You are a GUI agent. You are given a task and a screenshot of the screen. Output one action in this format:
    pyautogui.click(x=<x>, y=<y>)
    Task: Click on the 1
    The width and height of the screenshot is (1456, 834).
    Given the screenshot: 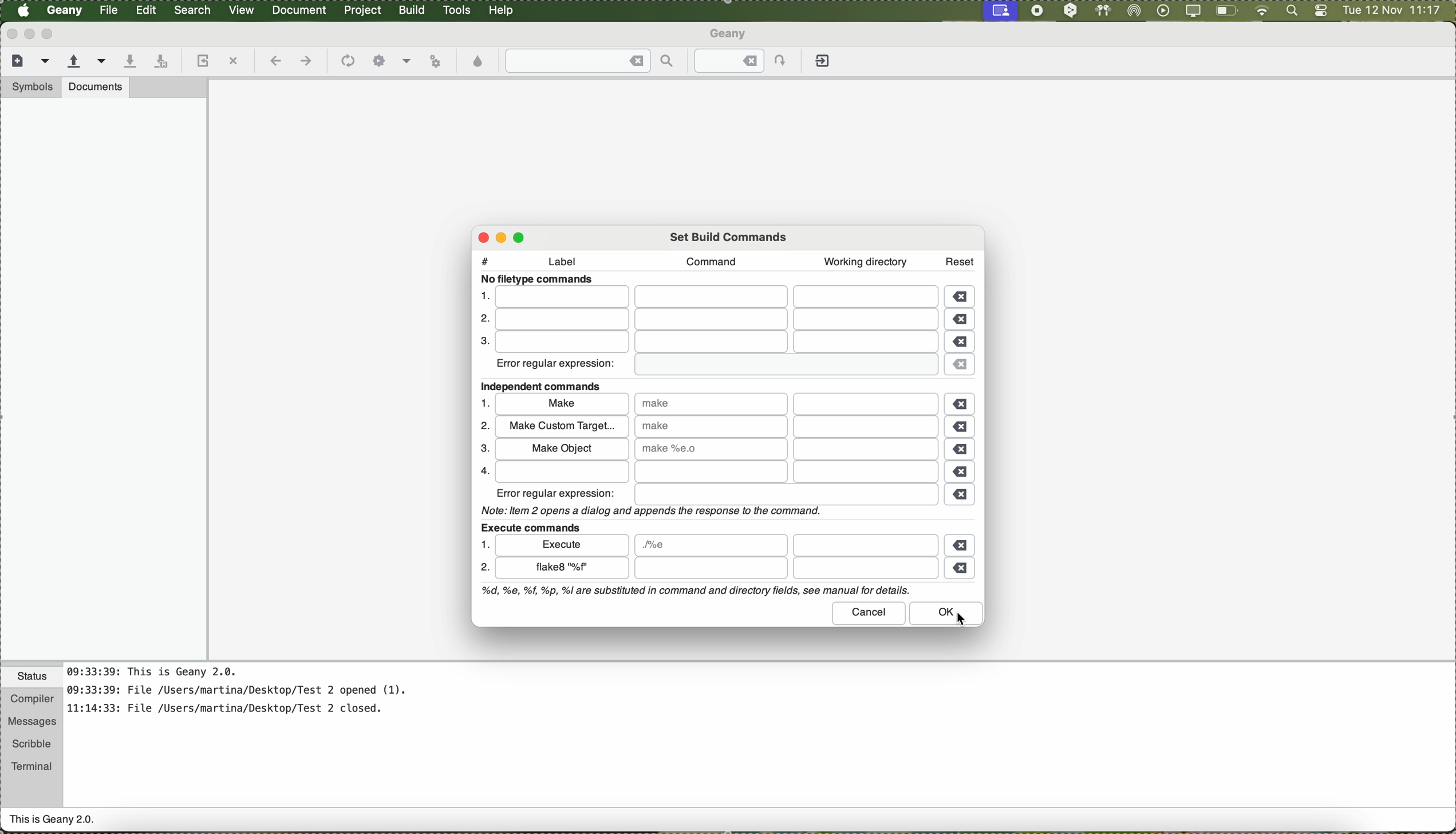 What is the action you would take?
    pyautogui.click(x=486, y=403)
    